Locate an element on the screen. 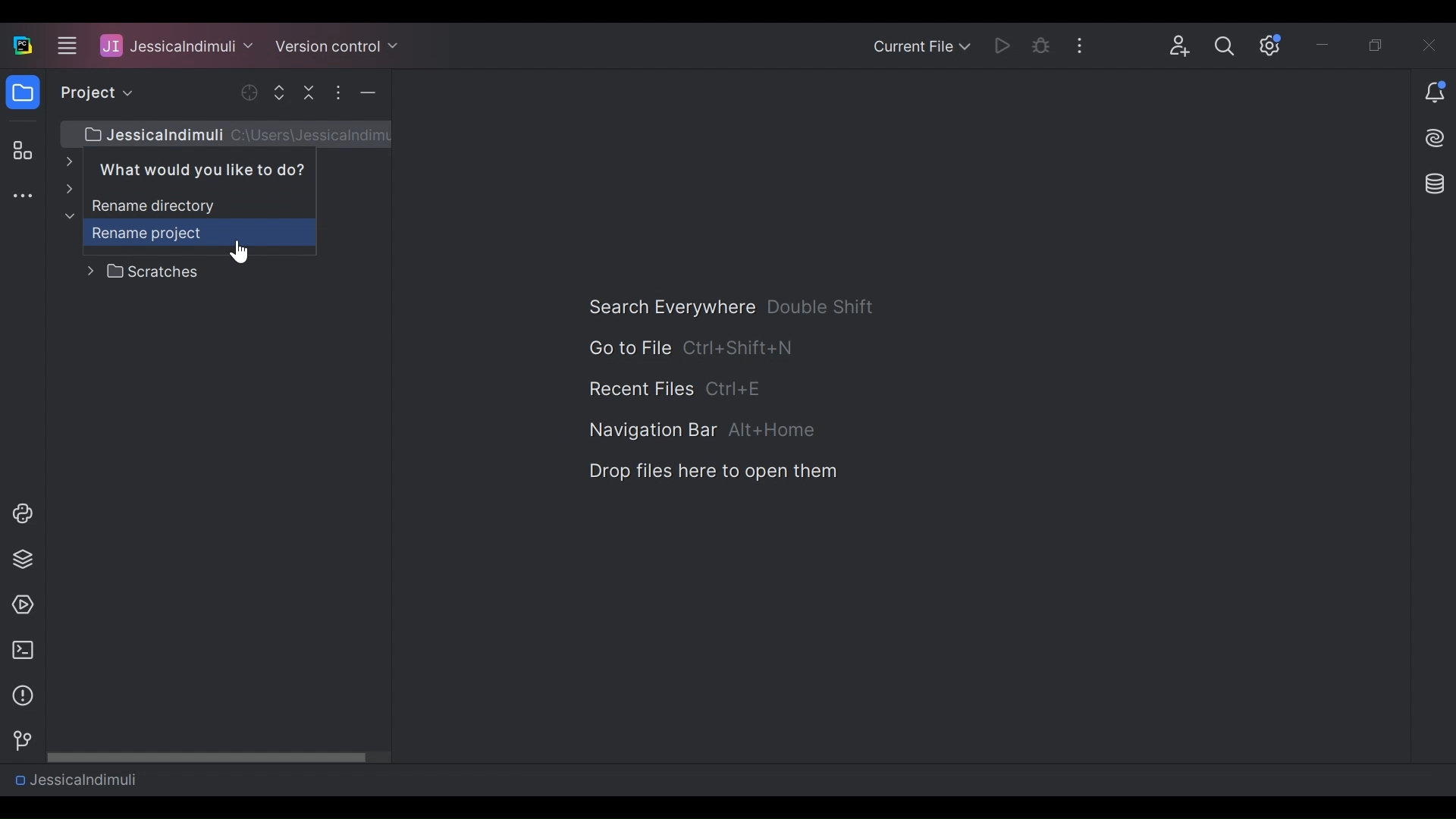 Image resolution: width=1456 pixels, height=819 pixels. Version Control is located at coordinates (337, 45).